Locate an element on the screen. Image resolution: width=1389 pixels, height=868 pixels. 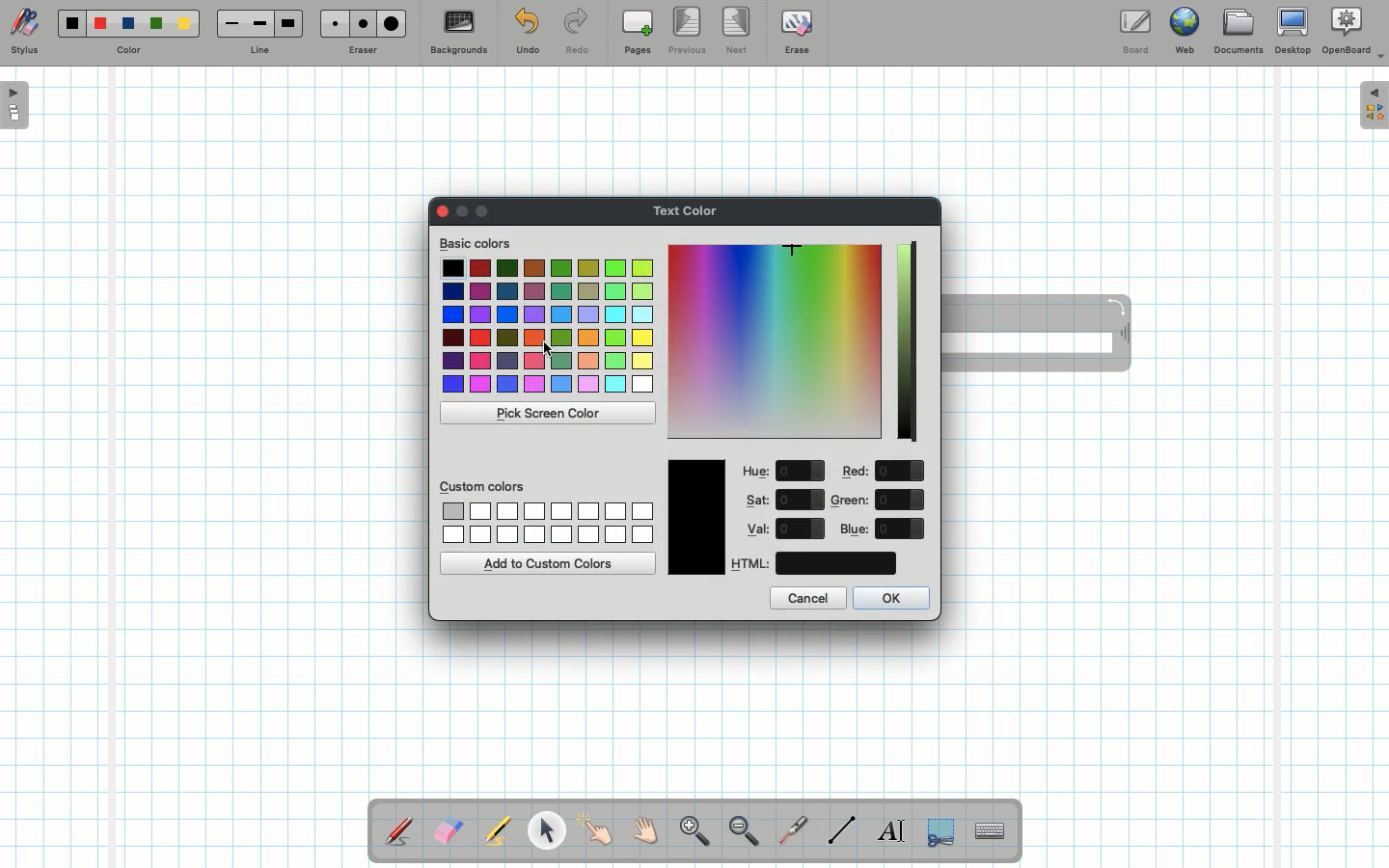
Grab is located at coordinates (646, 833).